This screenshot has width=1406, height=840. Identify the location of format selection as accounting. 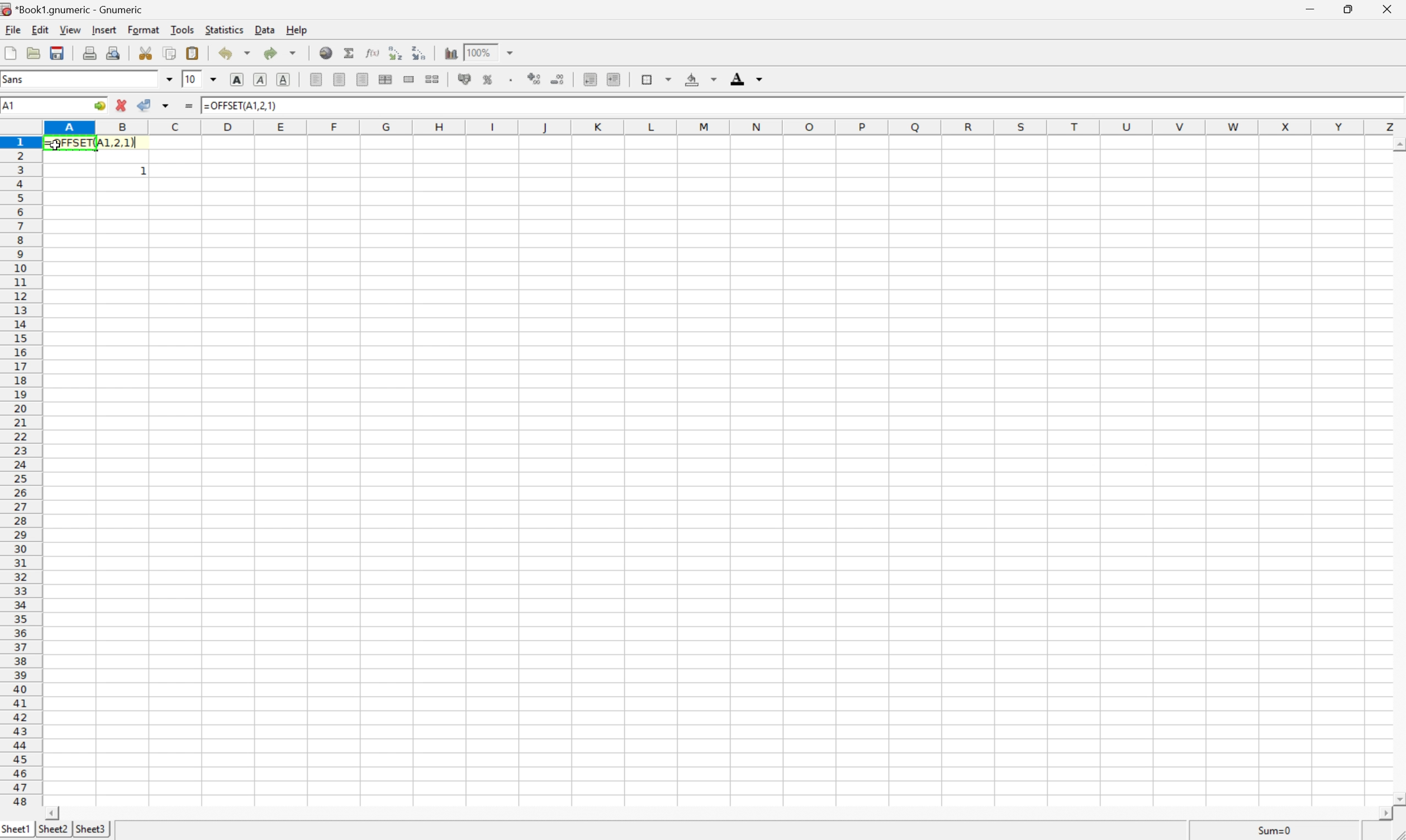
(467, 78).